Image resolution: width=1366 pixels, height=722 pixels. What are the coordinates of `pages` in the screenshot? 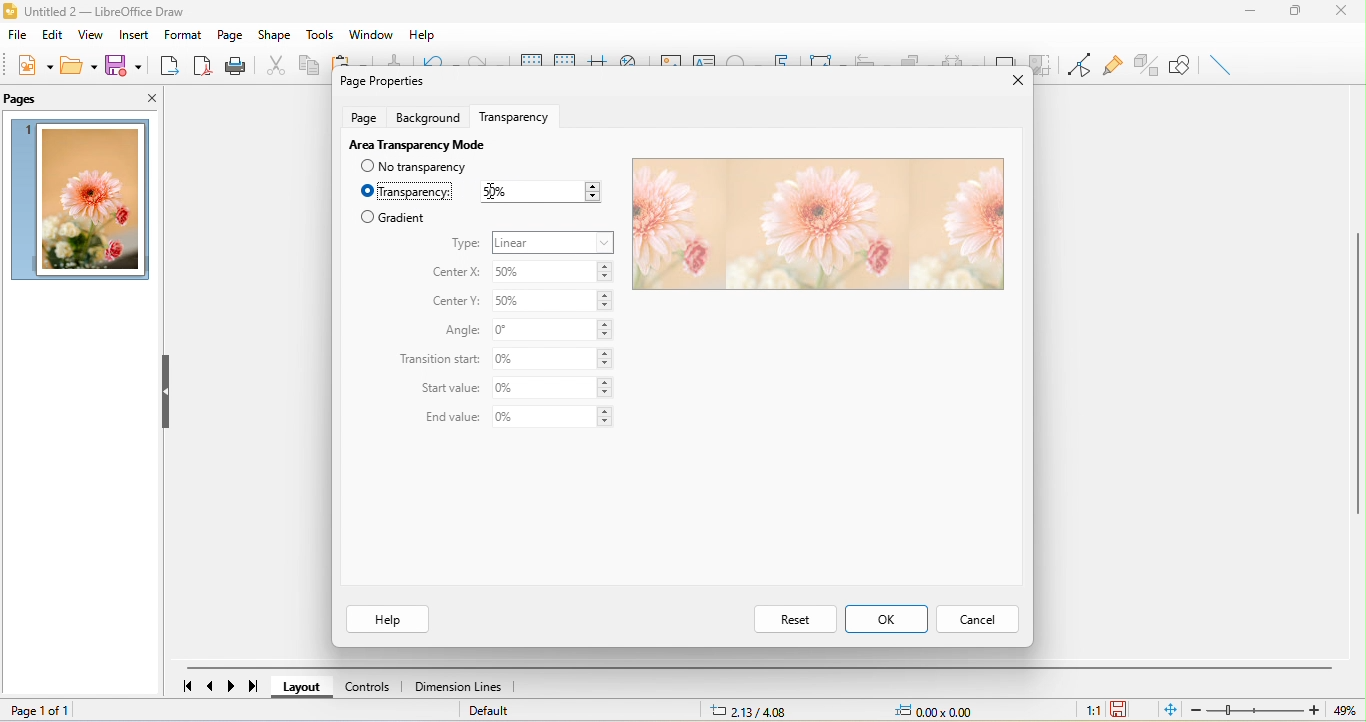 It's located at (25, 100).